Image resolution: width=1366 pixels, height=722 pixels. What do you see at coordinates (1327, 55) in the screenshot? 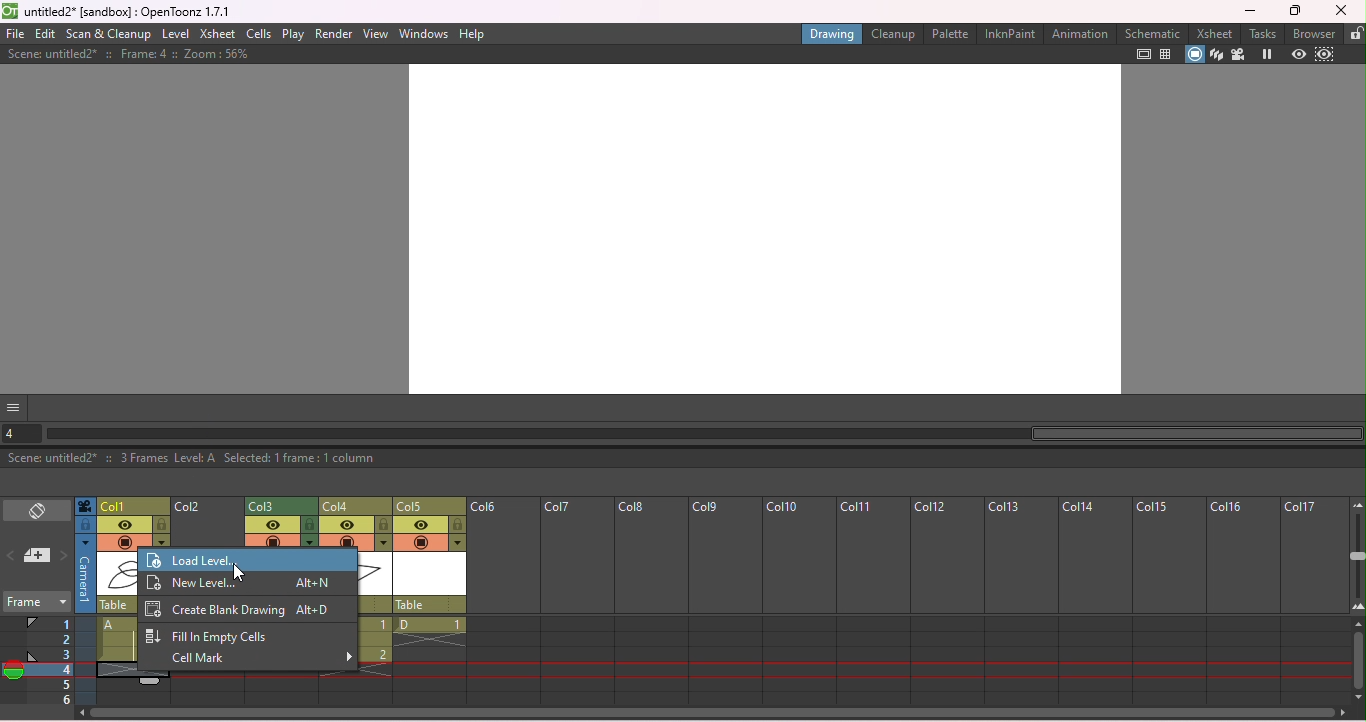
I see `Sub-camera` at bounding box center [1327, 55].